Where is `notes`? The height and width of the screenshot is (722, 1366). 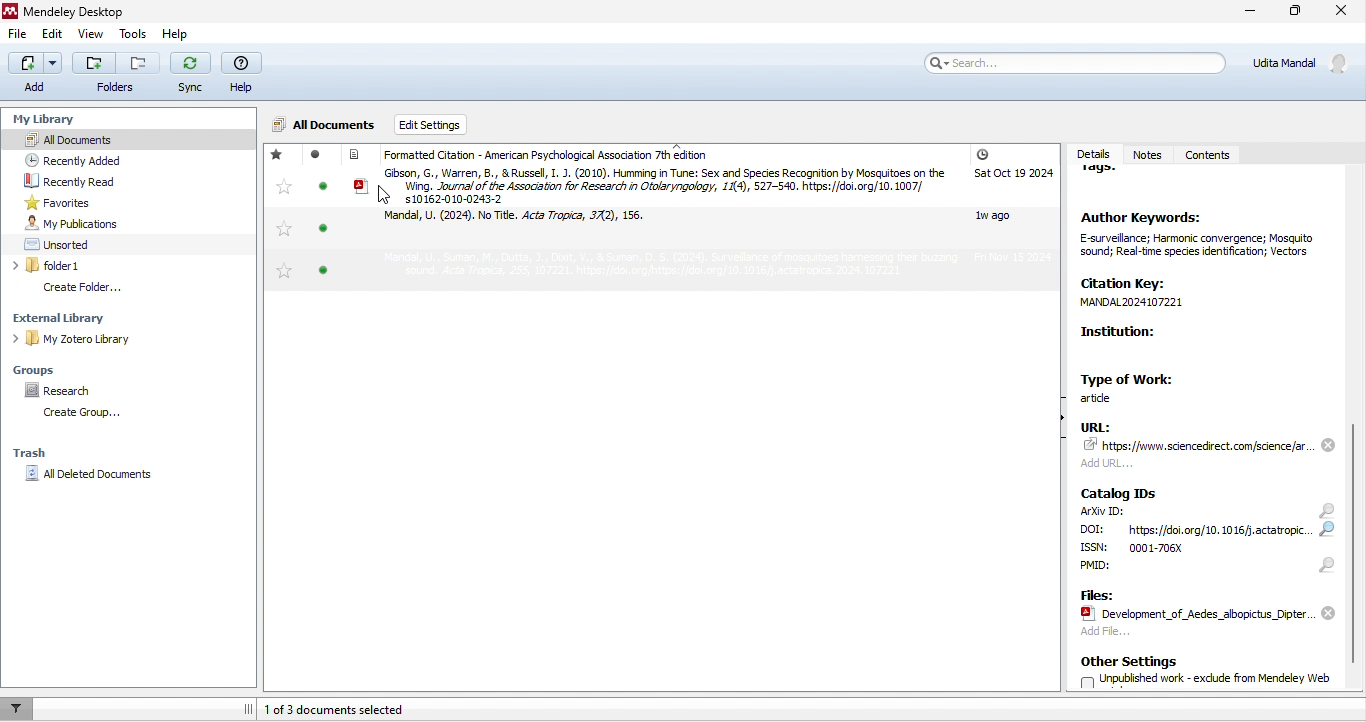
notes is located at coordinates (1147, 147).